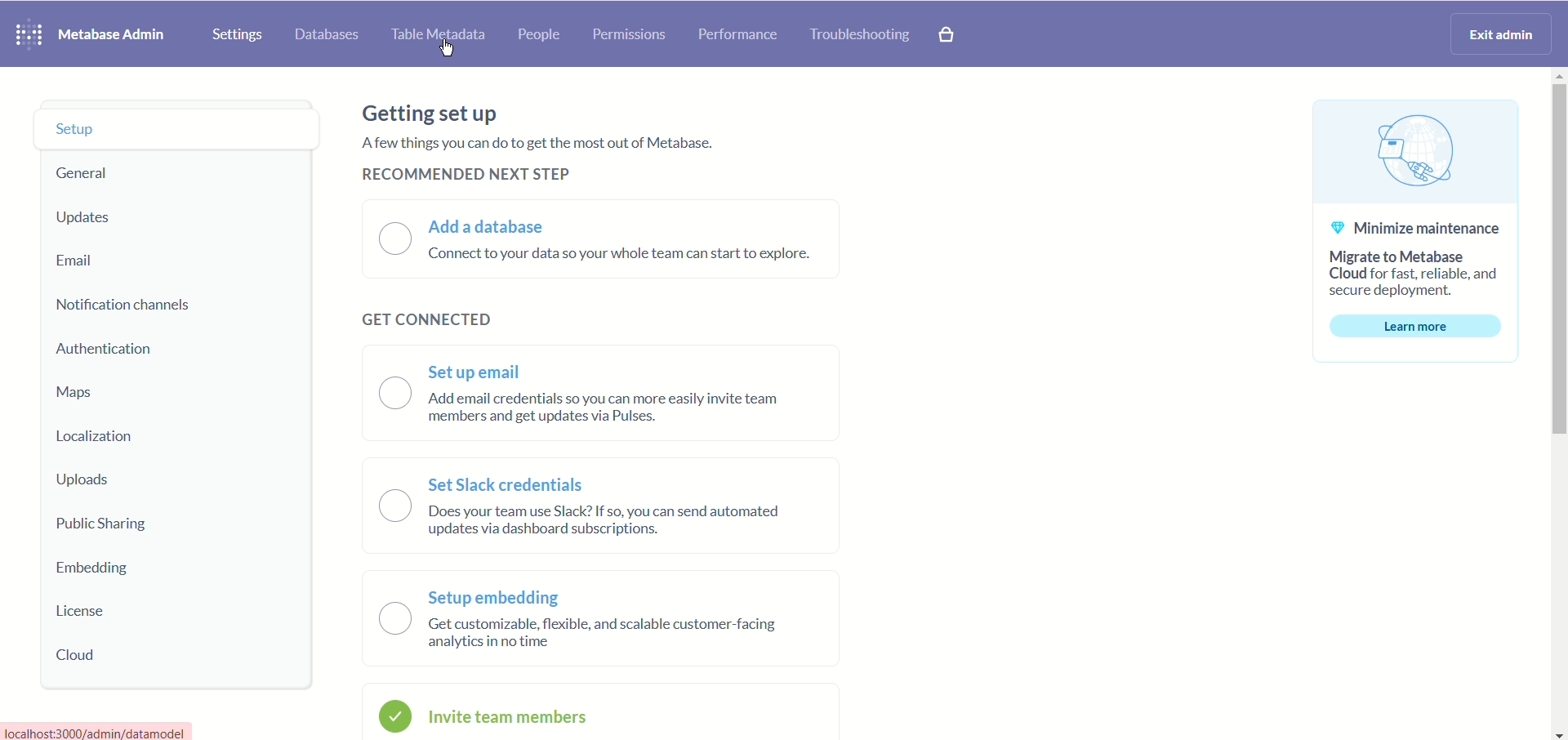 The height and width of the screenshot is (740, 1568). What do you see at coordinates (140, 216) in the screenshot?
I see `Updates` at bounding box center [140, 216].